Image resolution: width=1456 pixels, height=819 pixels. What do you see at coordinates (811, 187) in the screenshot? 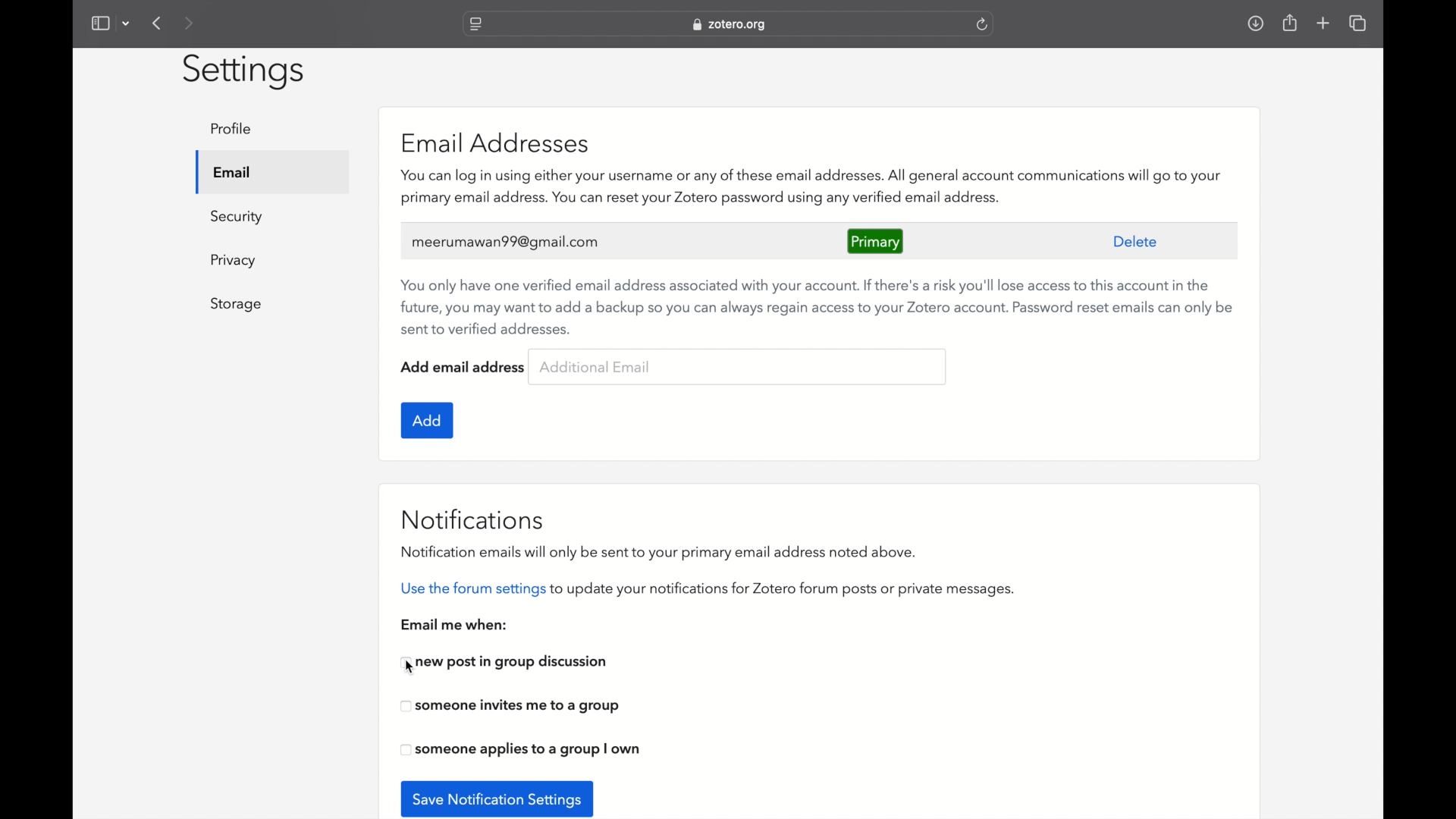
I see `zotero features associated with email` at bounding box center [811, 187].